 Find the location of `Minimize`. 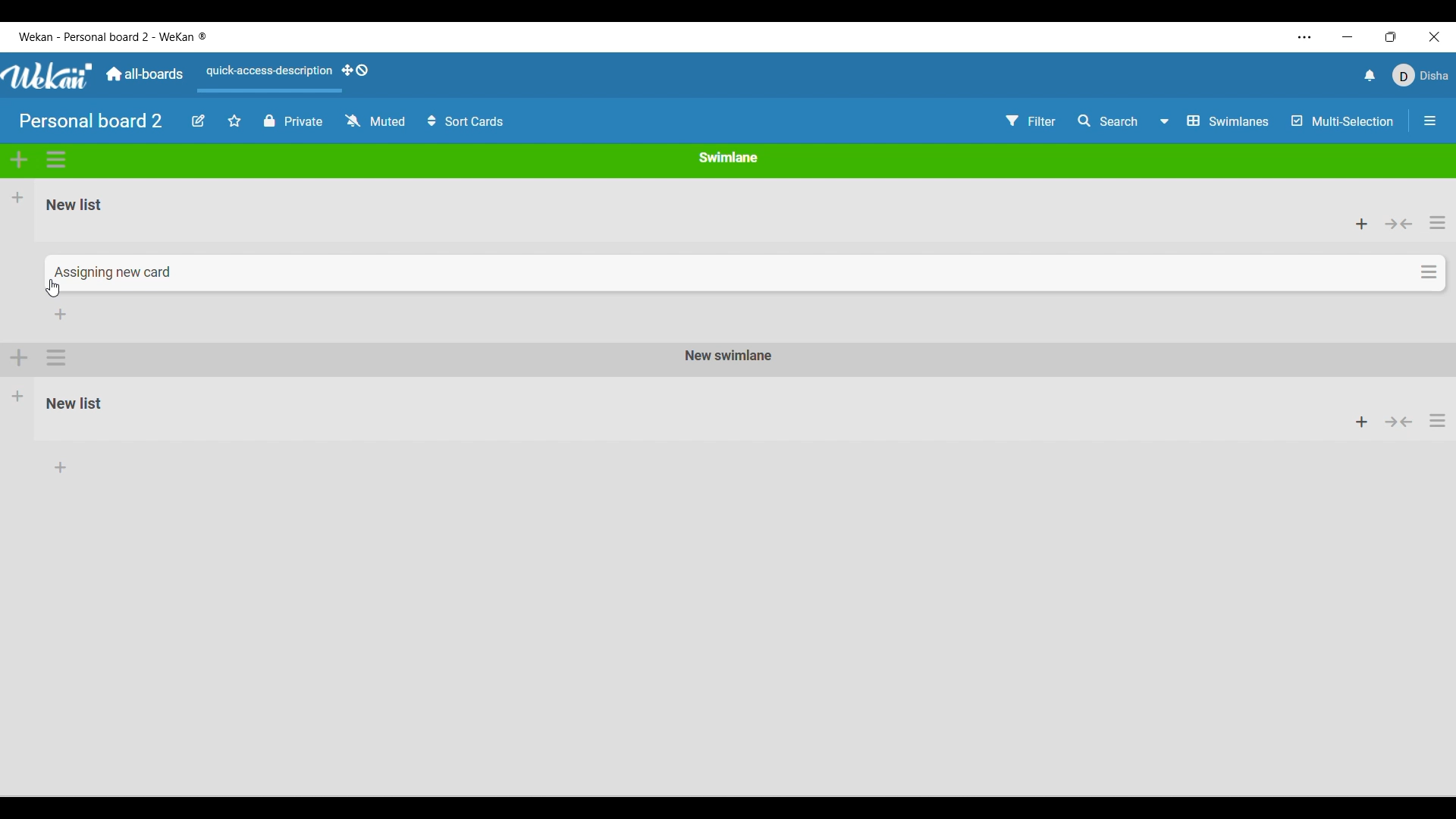

Minimize is located at coordinates (1348, 37).